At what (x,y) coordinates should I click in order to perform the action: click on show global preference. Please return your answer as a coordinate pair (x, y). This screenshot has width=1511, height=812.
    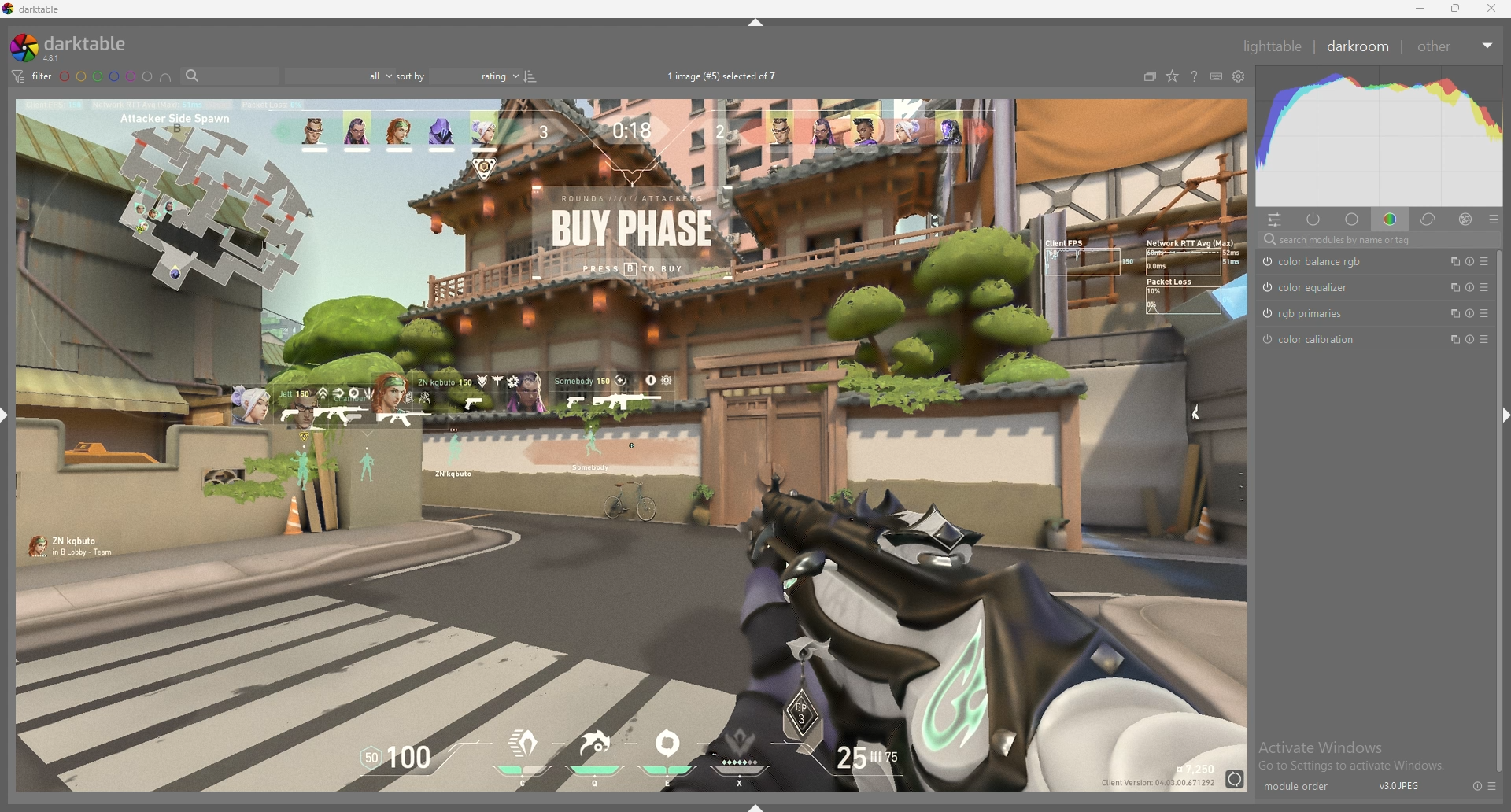
    Looking at the image, I should click on (1239, 77).